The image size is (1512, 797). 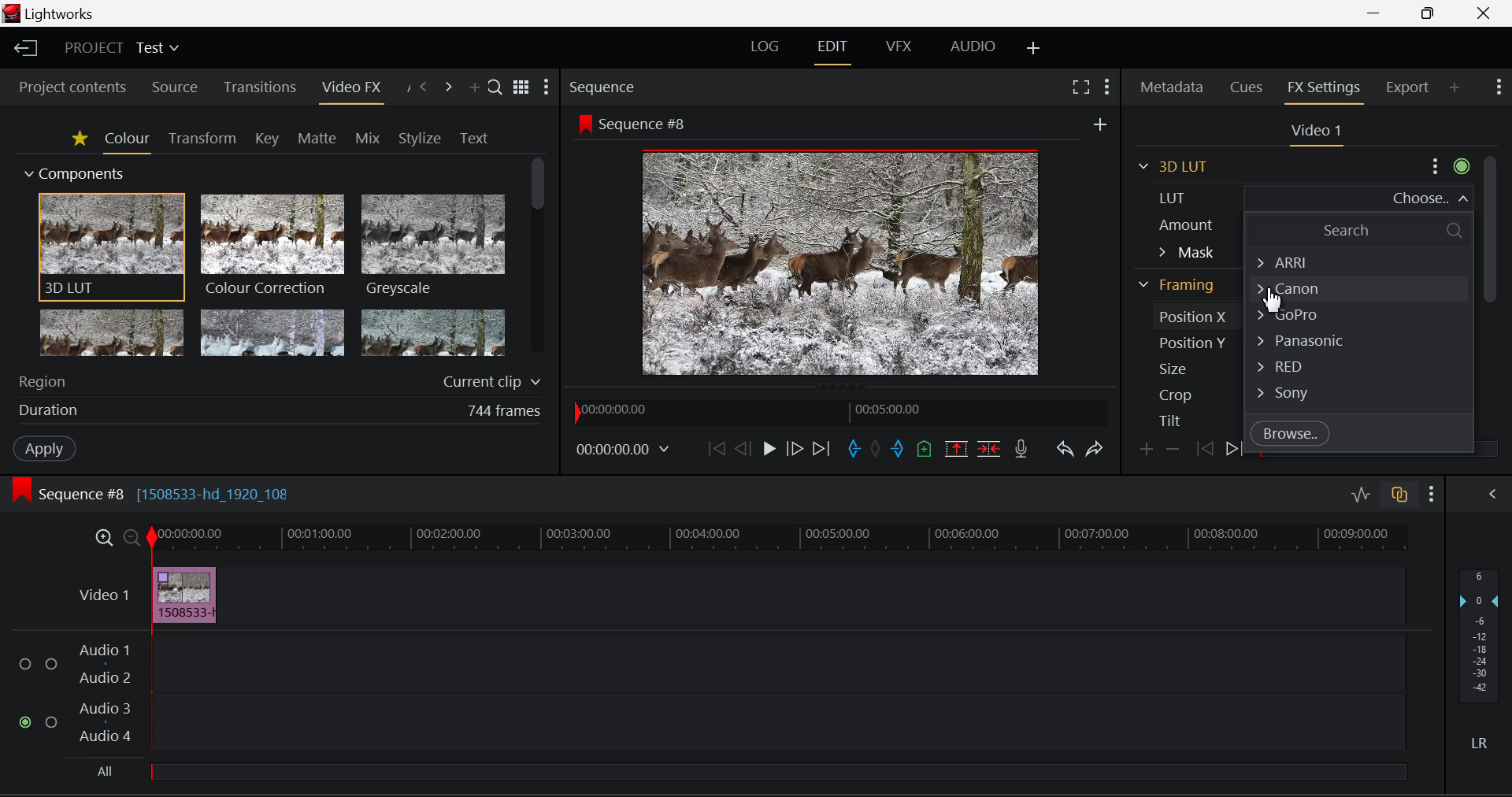 I want to click on To Start, so click(x=715, y=451).